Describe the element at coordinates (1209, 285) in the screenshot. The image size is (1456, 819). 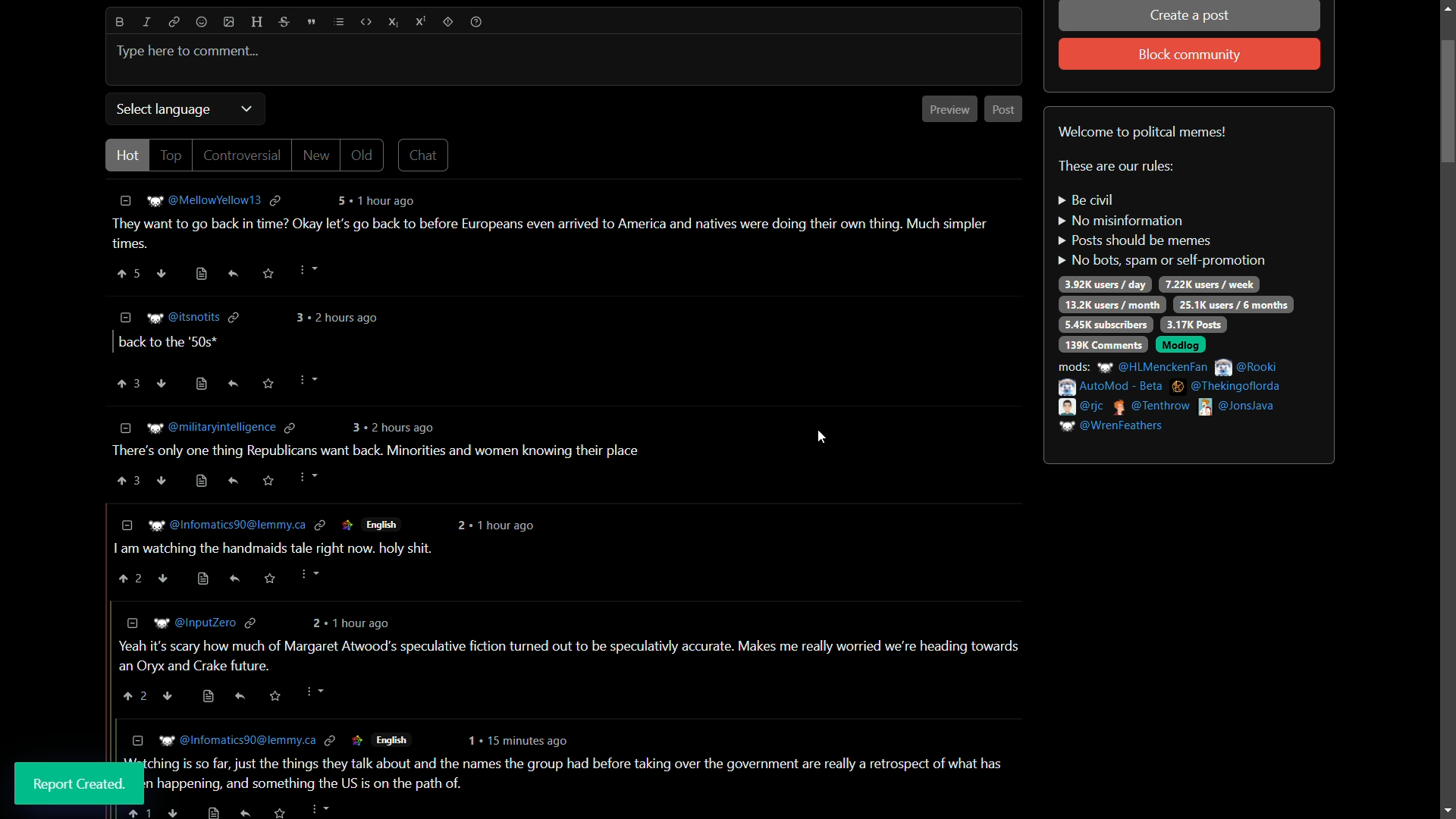
I see `7.22k users/week` at that location.